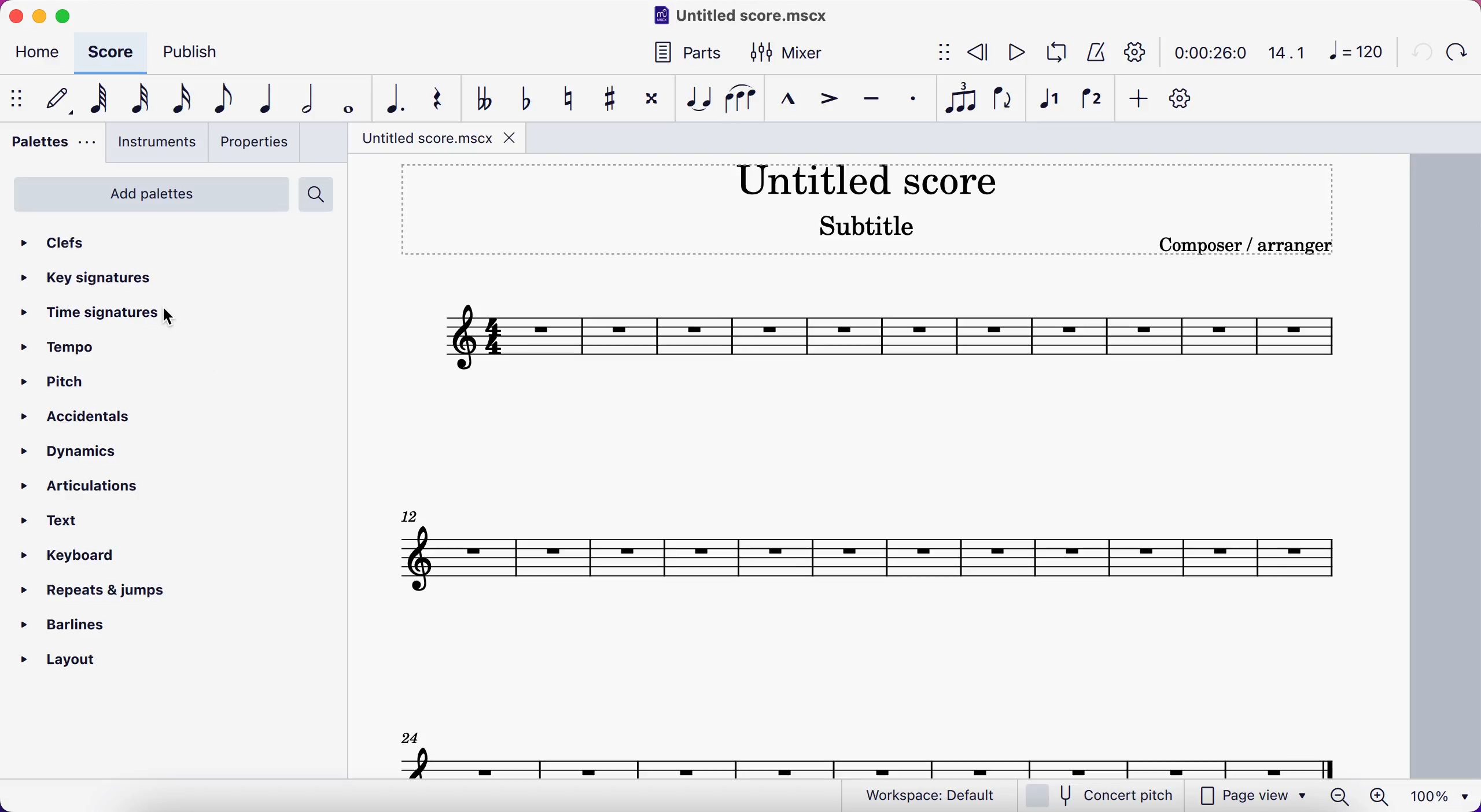  I want to click on voice 2, so click(1089, 98).